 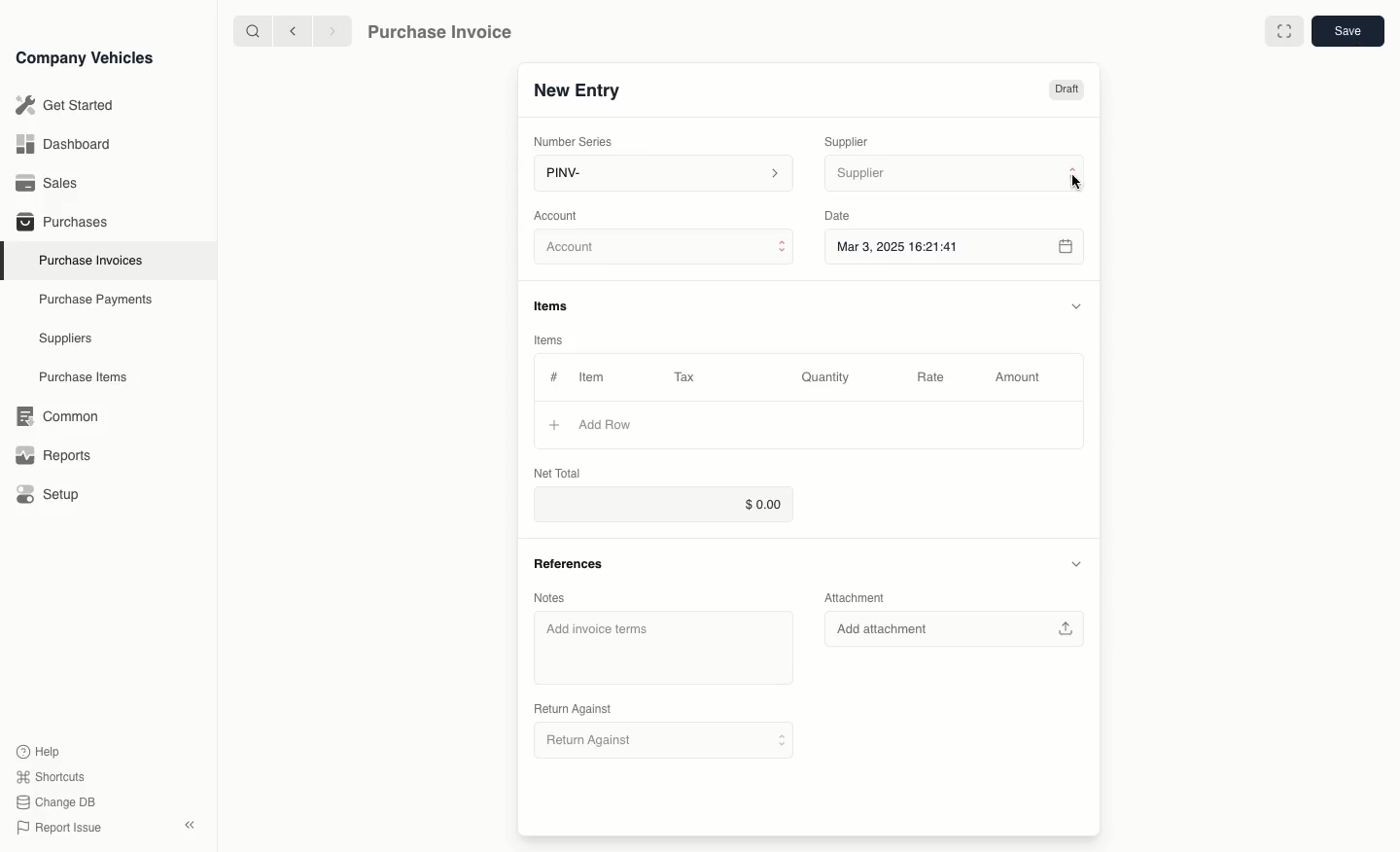 What do you see at coordinates (586, 89) in the screenshot?
I see `New Entry` at bounding box center [586, 89].